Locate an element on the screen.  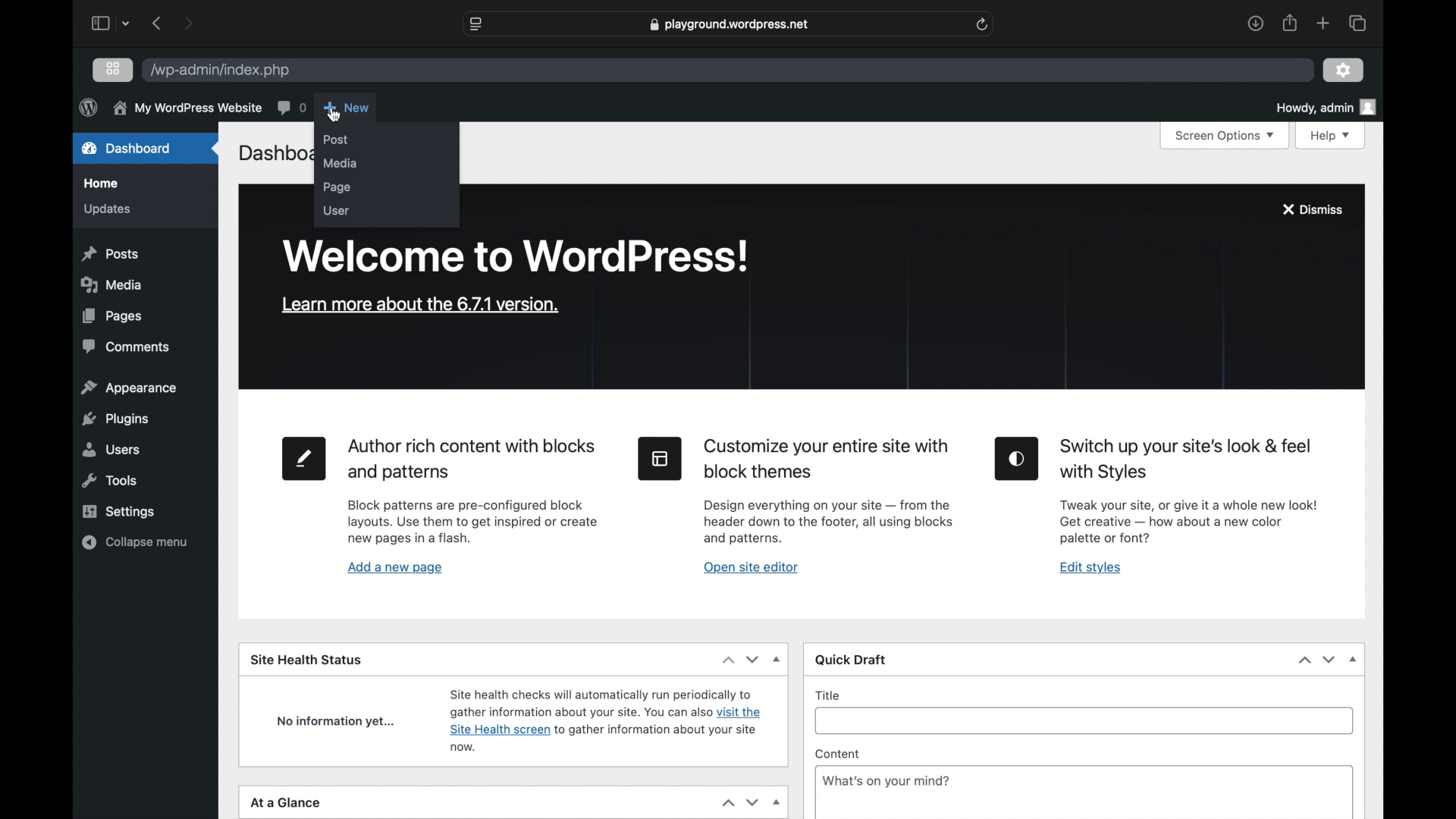
stepper buttons is located at coordinates (740, 802).